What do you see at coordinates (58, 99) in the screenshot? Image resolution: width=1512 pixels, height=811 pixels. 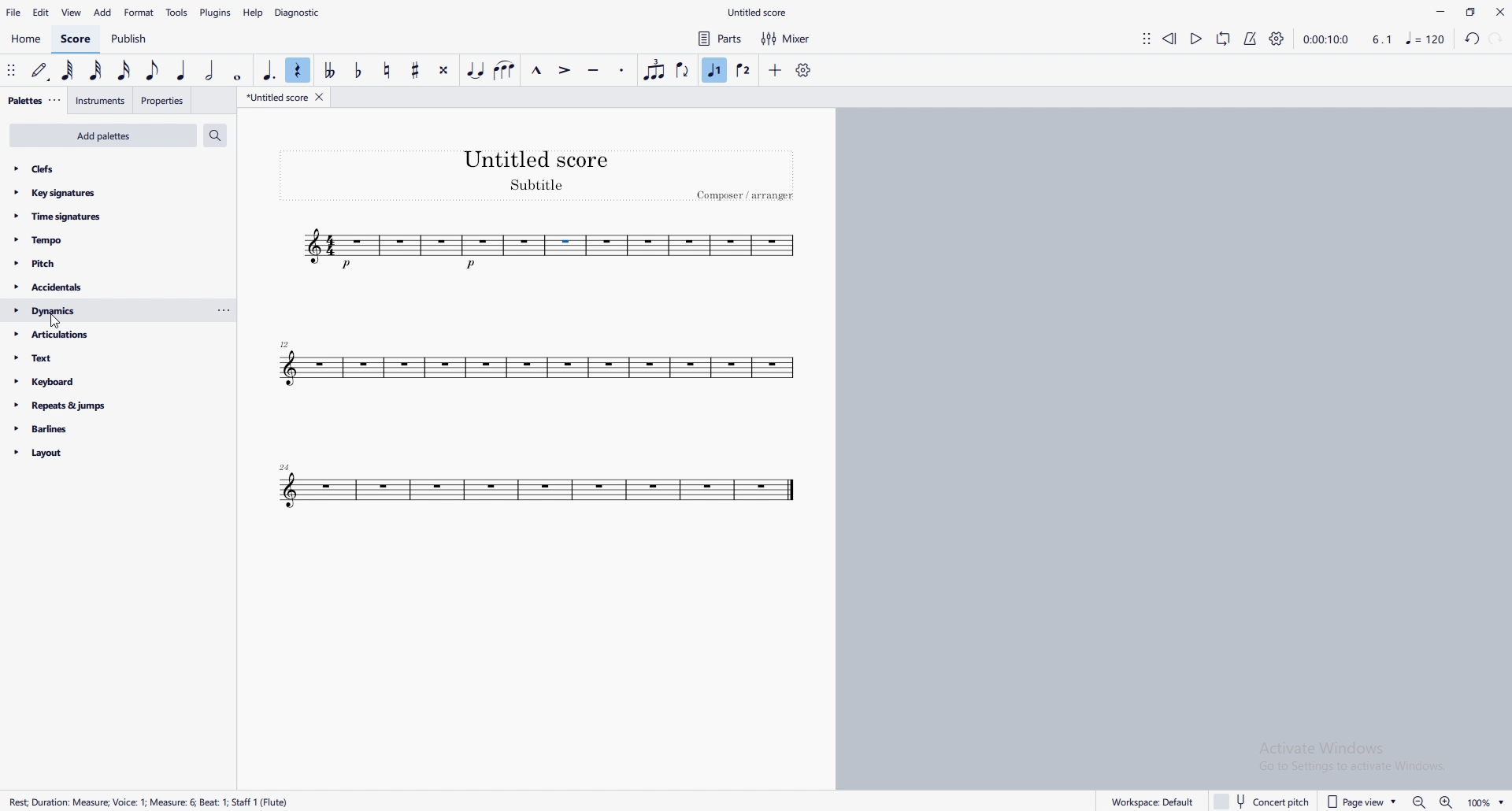 I see `adjust` at bounding box center [58, 99].